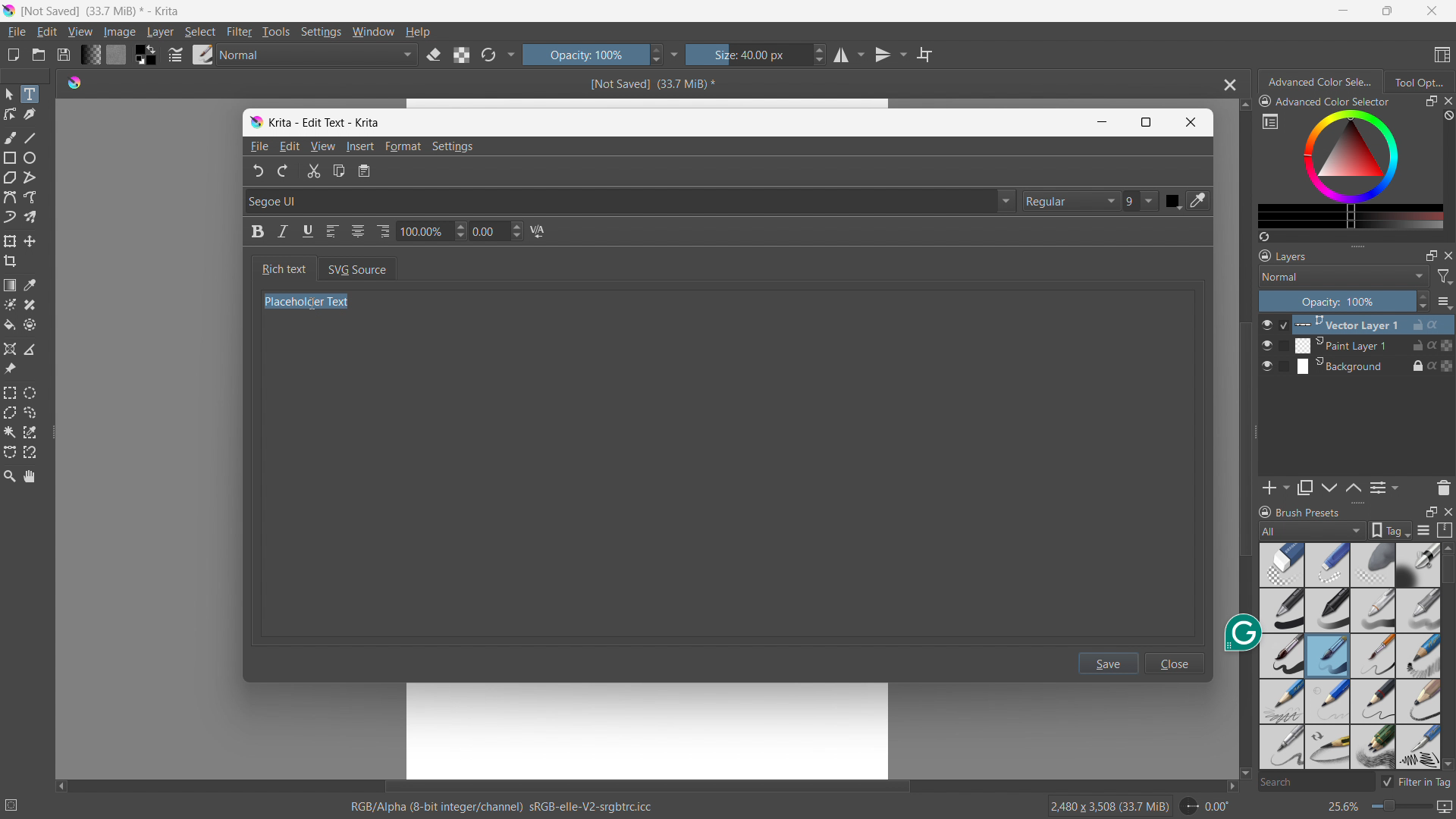 This screenshot has width=1456, height=819. I want to click on text tool selected, so click(29, 94).